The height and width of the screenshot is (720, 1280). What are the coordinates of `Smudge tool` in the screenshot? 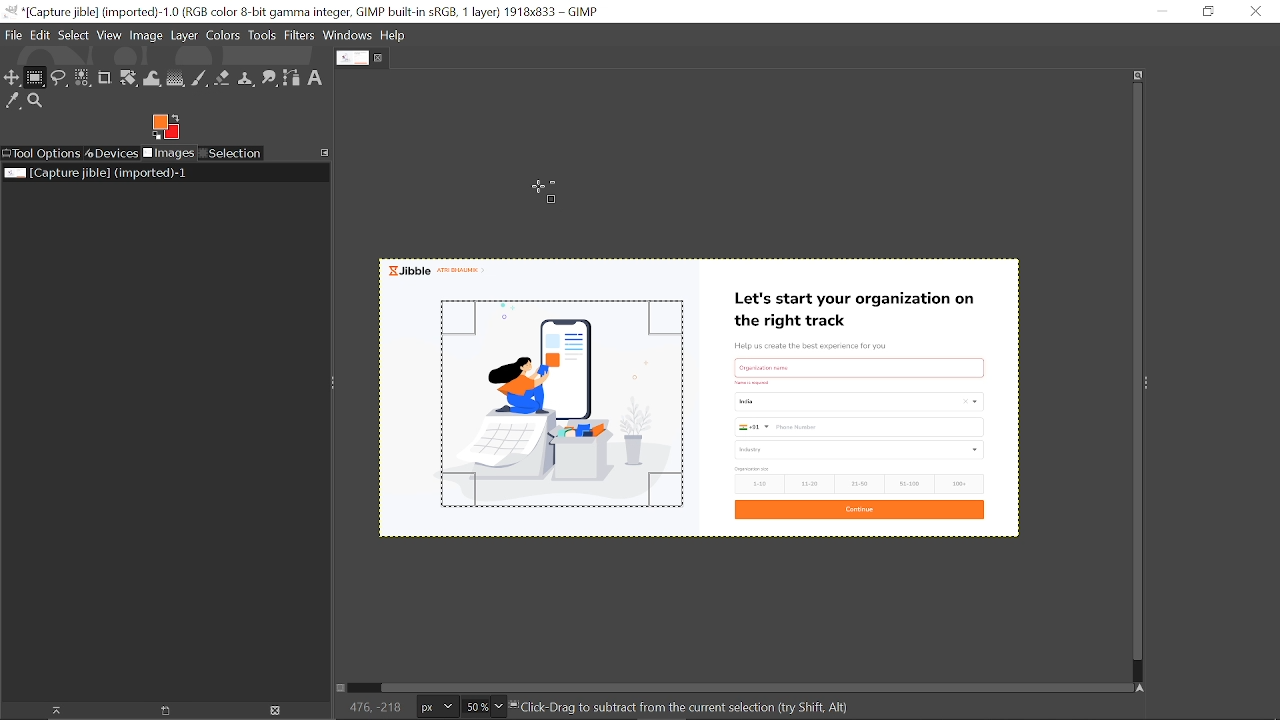 It's located at (270, 79).